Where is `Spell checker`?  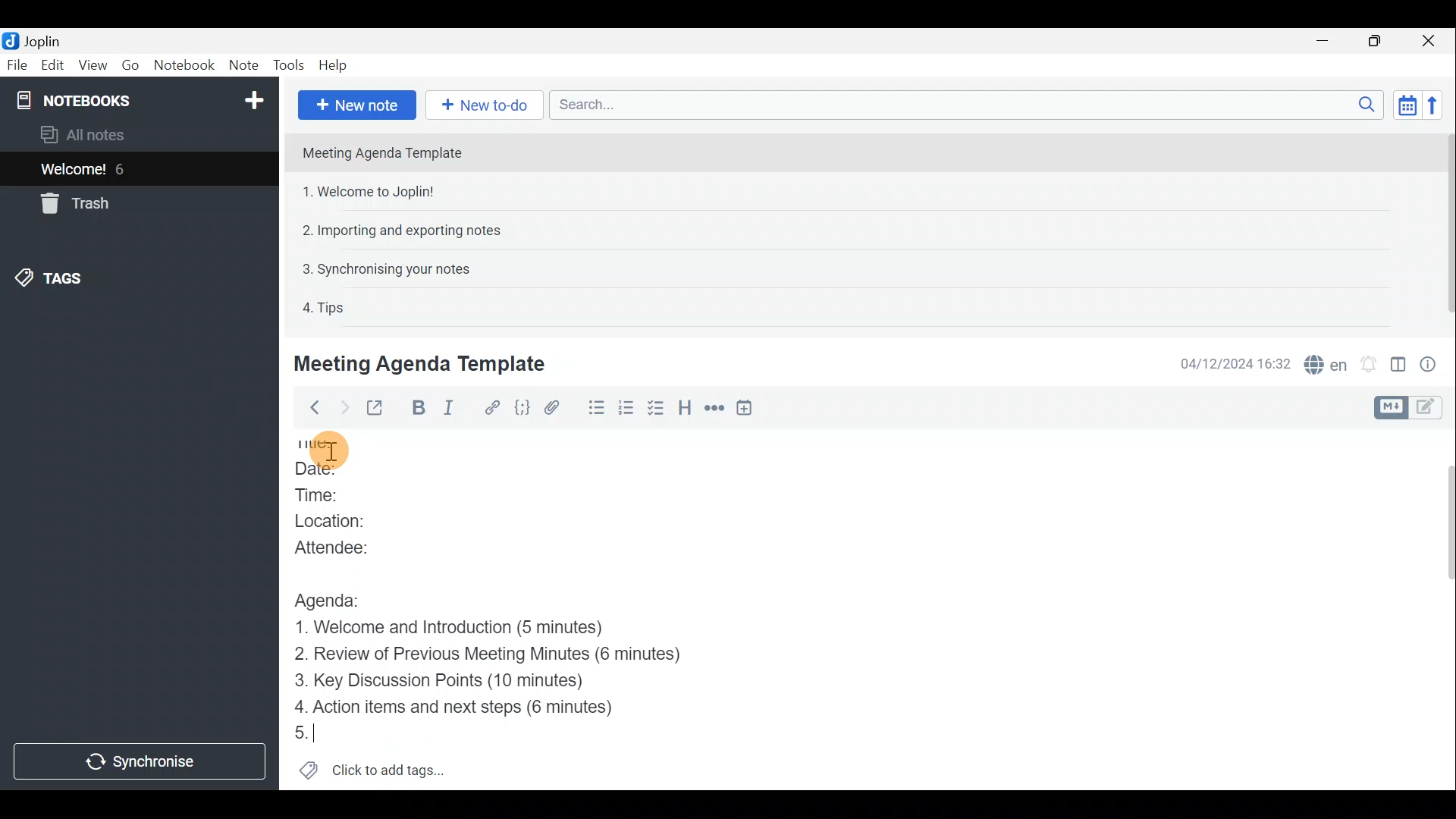 Spell checker is located at coordinates (1327, 362).